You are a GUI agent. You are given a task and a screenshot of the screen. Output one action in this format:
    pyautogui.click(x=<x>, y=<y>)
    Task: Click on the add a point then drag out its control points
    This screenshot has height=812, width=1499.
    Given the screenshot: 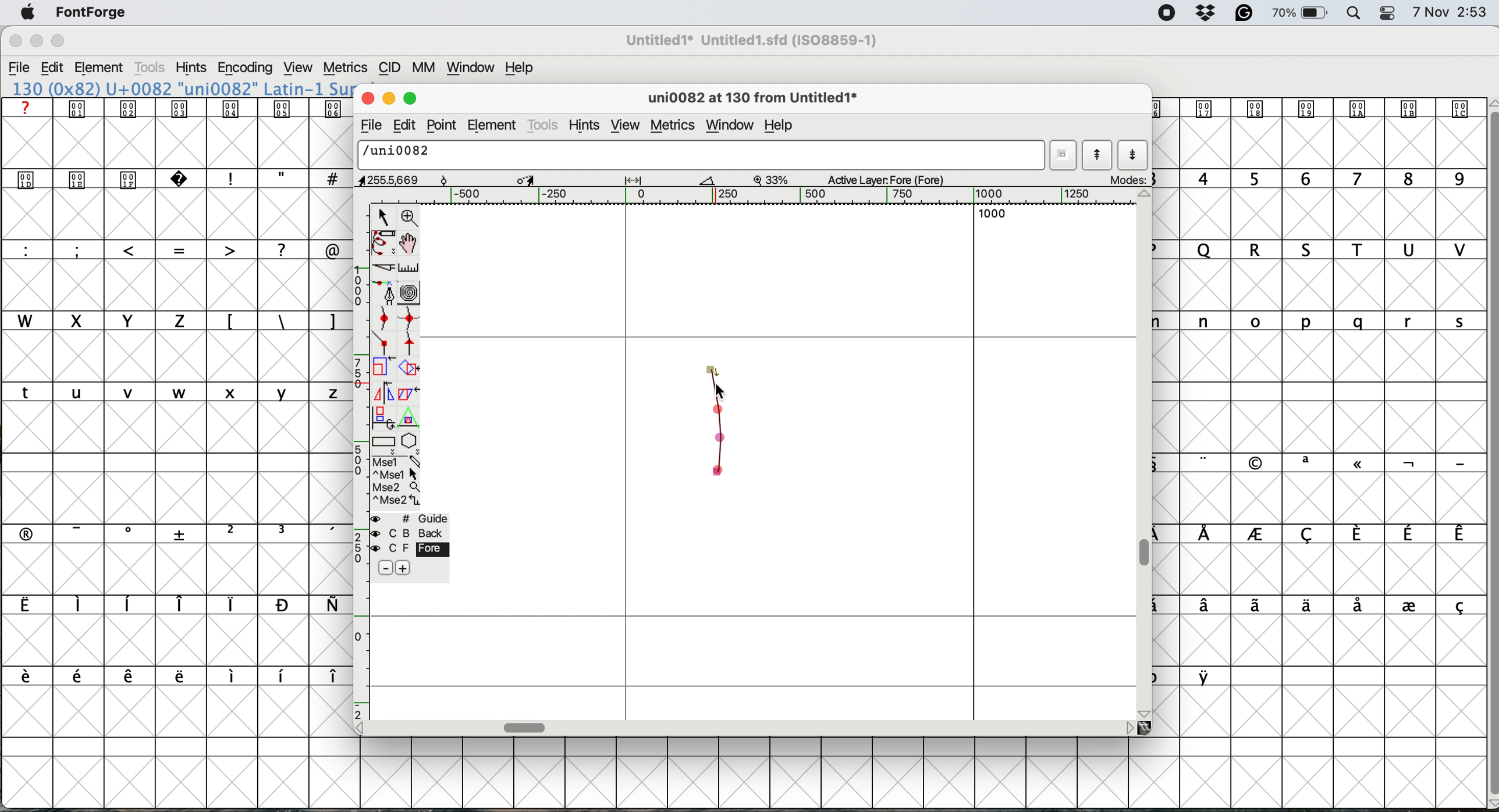 What is the action you would take?
    pyautogui.click(x=385, y=294)
    